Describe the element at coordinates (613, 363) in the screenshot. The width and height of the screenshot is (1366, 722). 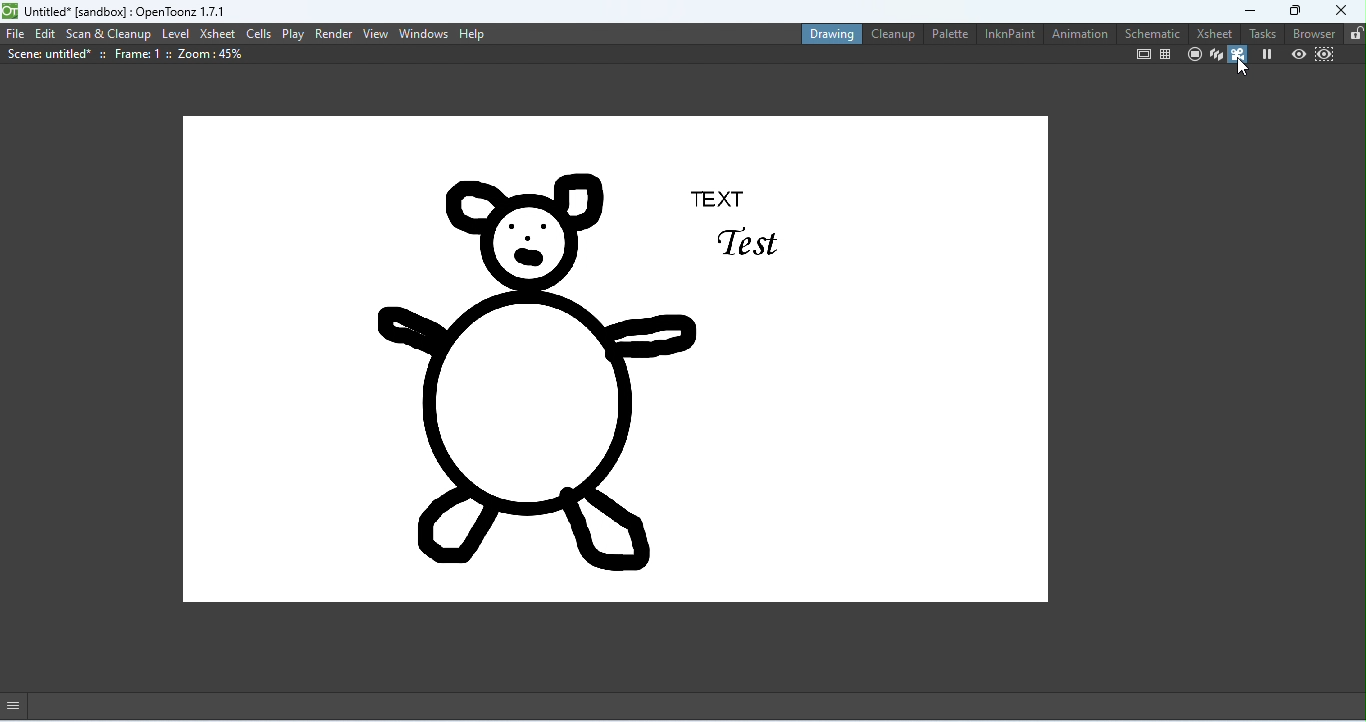
I see `canvas` at that location.